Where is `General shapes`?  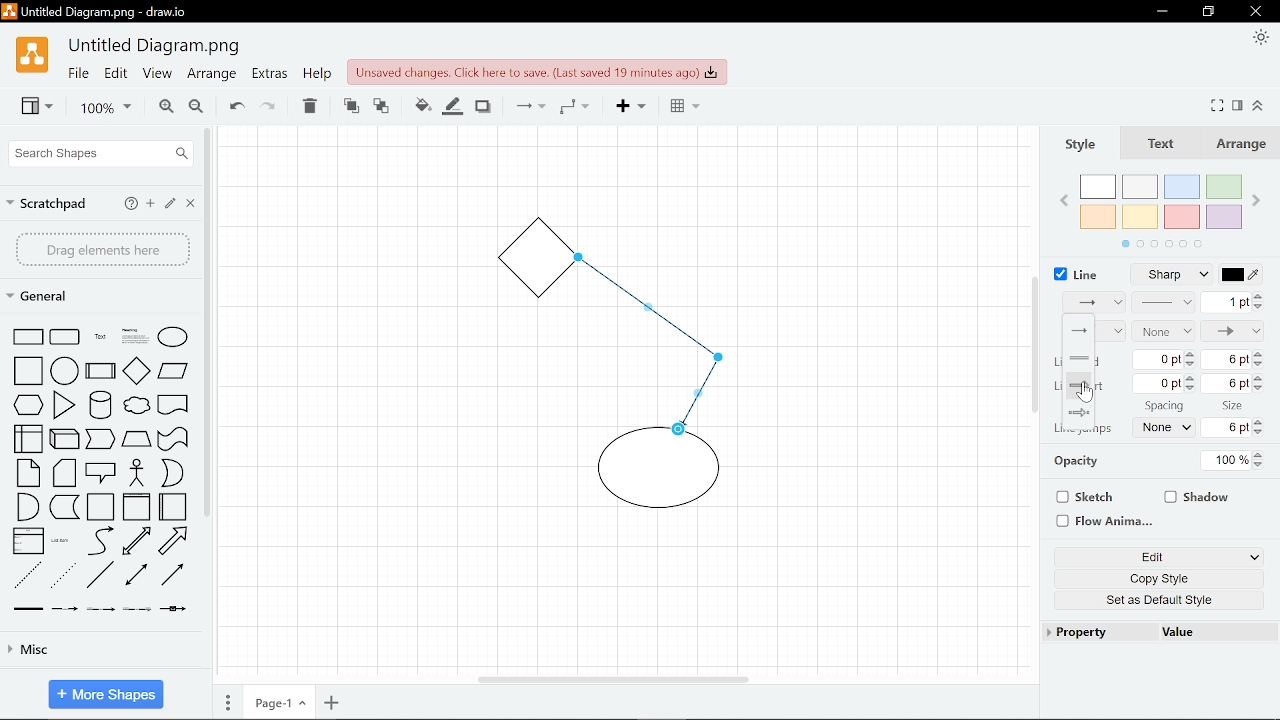
General shapes is located at coordinates (49, 297).